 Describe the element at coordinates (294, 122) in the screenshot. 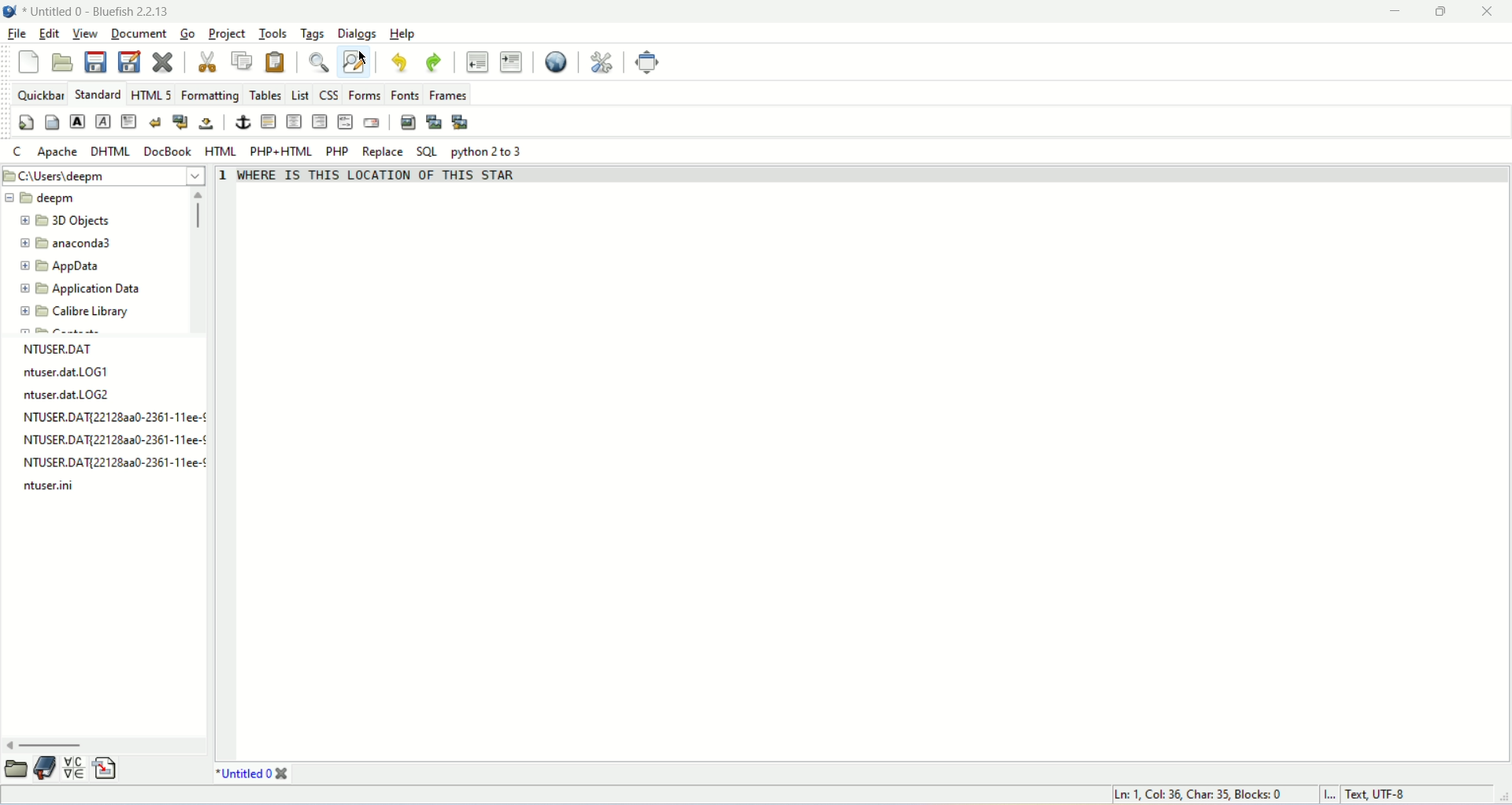

I see `center` at that location.